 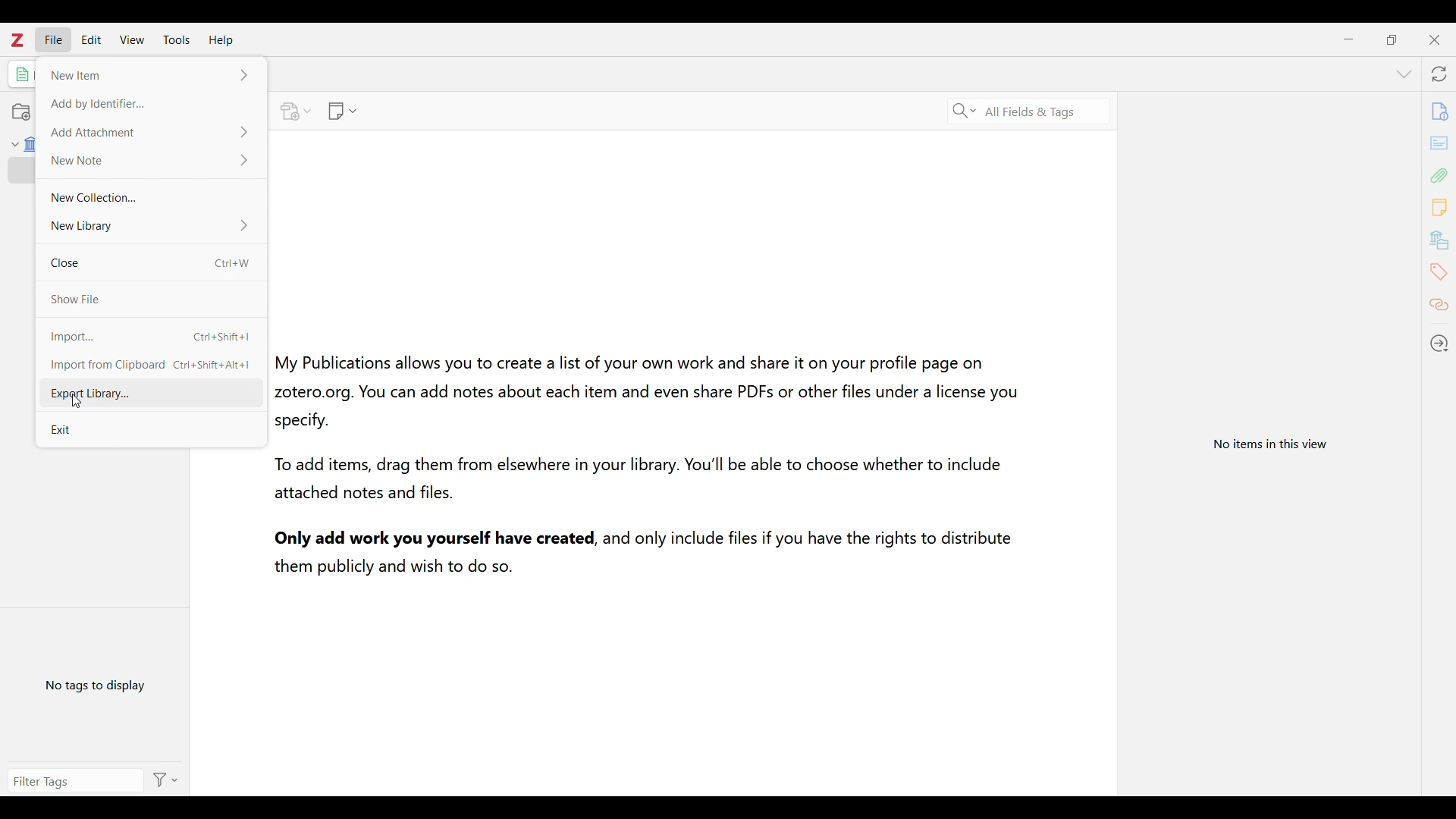 I want to click on Import Ctrl+Shift+I, so click(x=149, y=334).